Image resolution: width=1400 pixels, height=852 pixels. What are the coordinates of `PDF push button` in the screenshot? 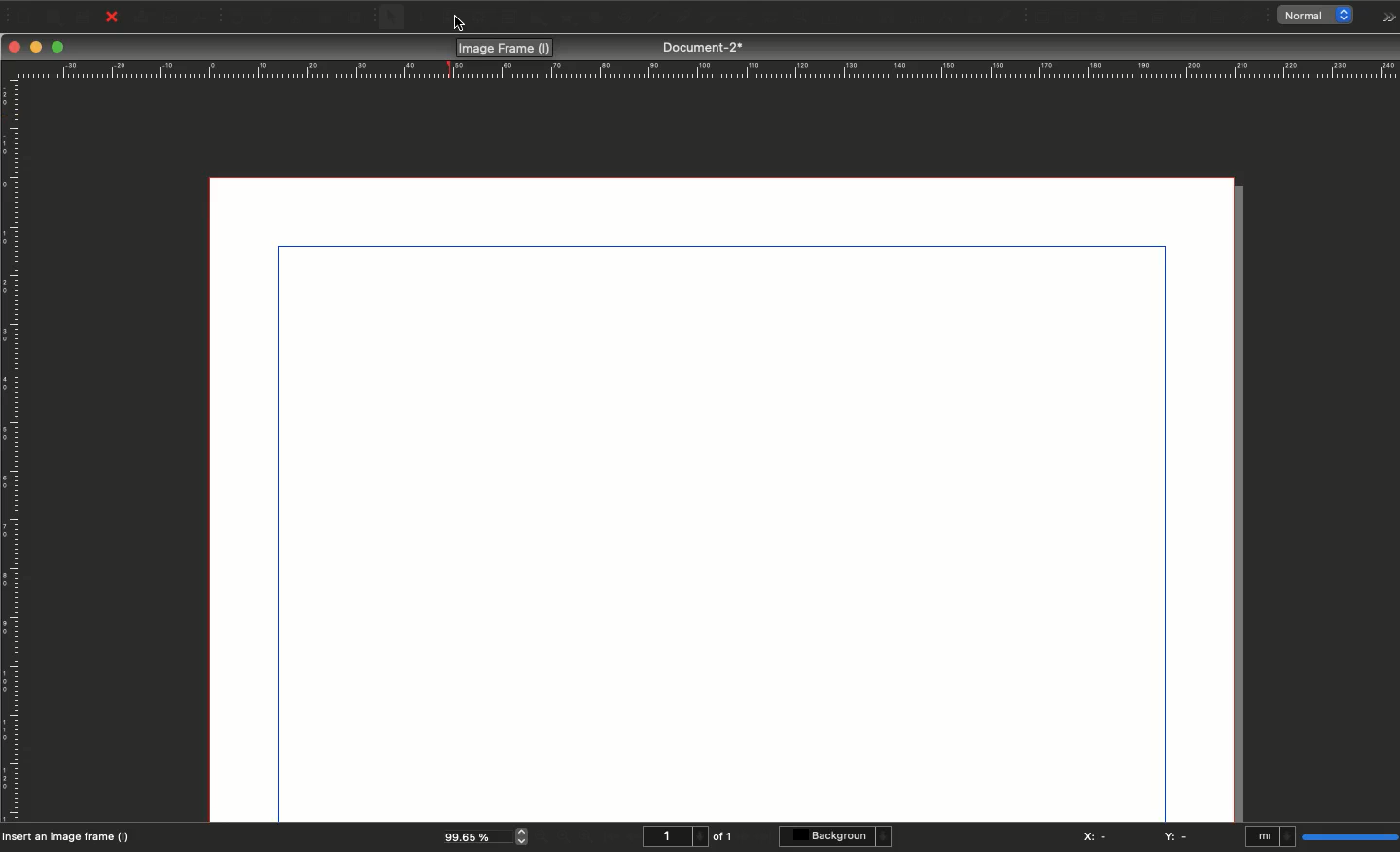 It's located at (1040, 17).